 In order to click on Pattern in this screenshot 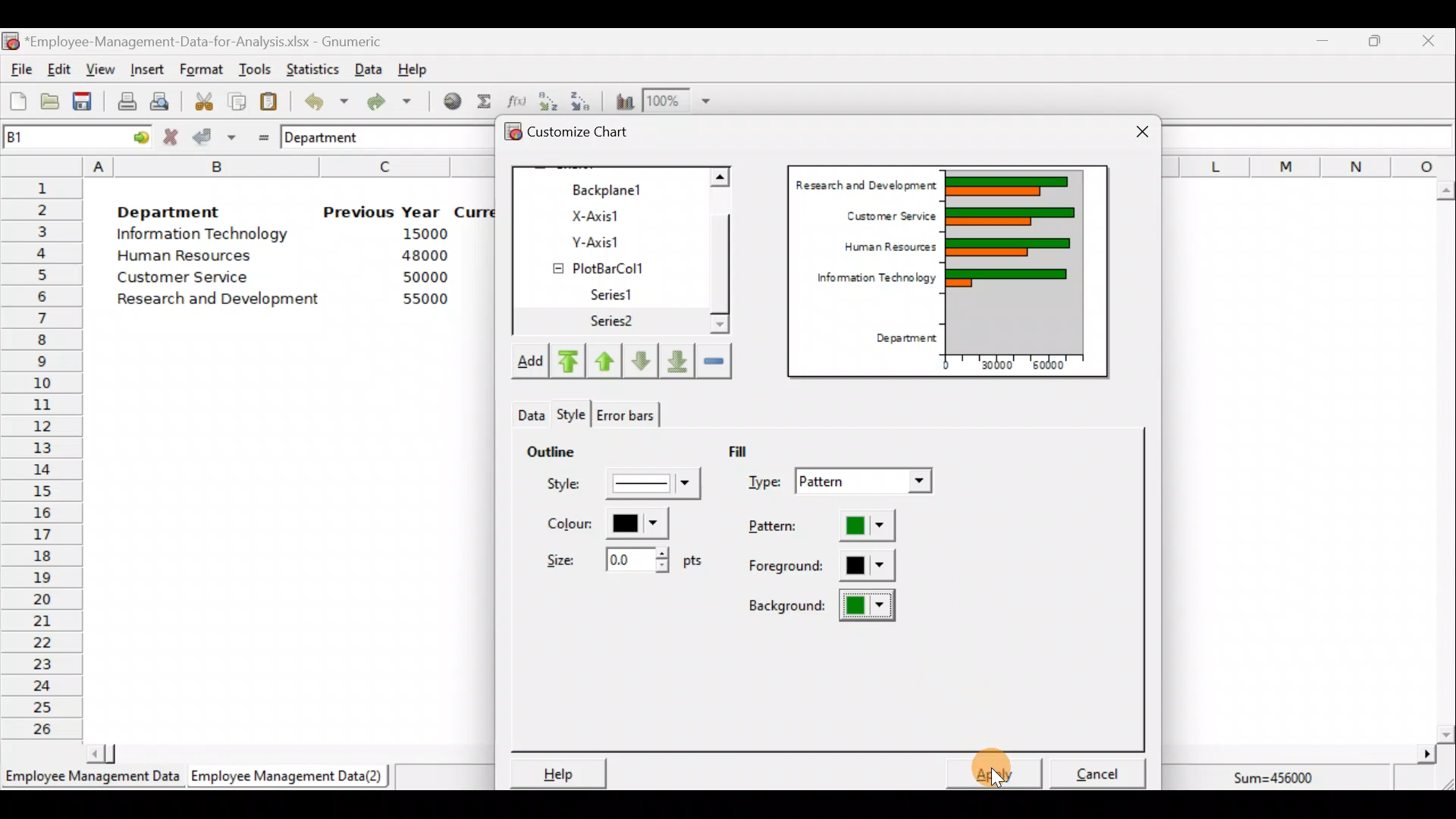, I will do `click(836, 527)`.